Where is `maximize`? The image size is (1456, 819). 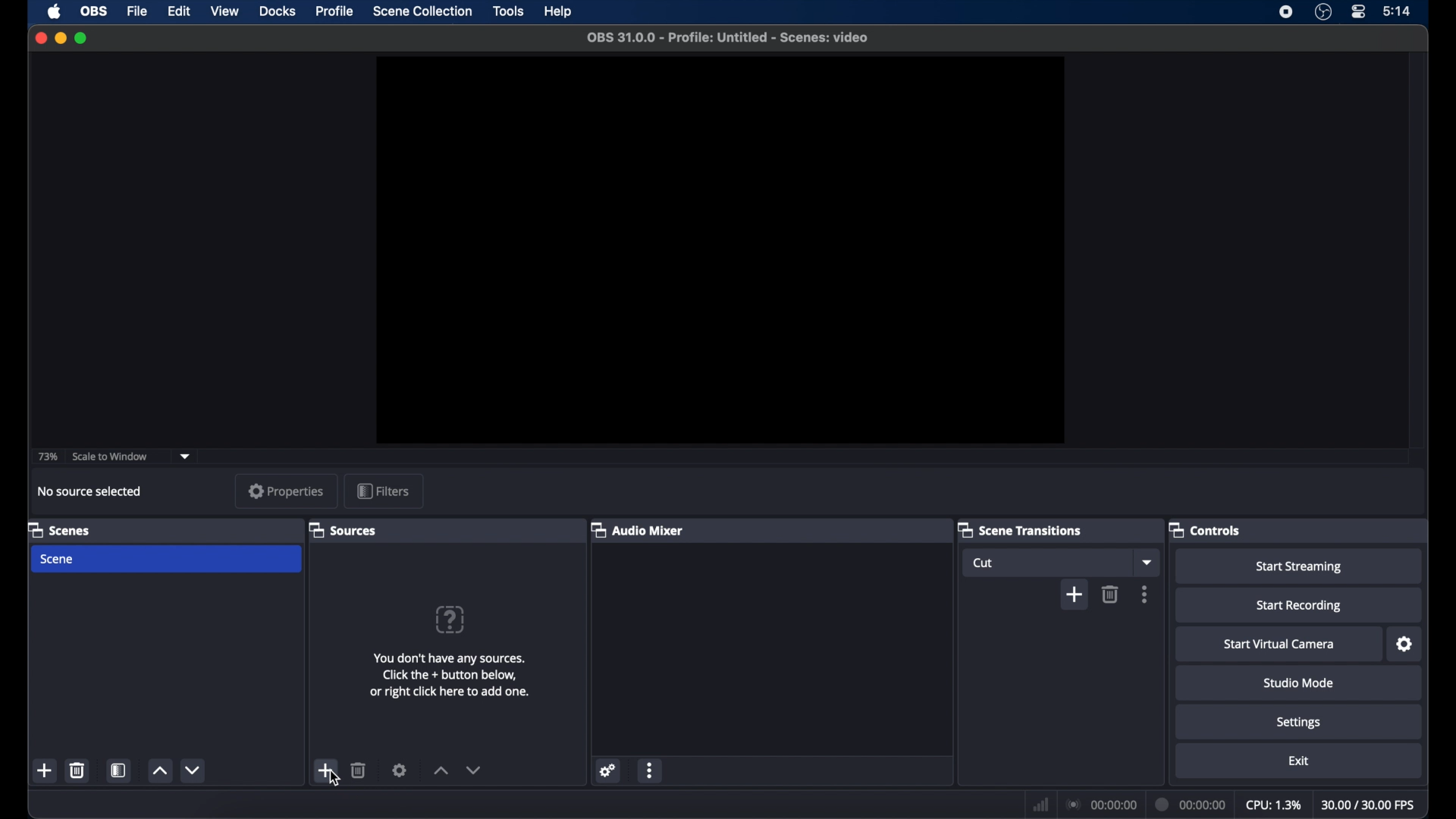
maximize is located at coordinates (82, 38).